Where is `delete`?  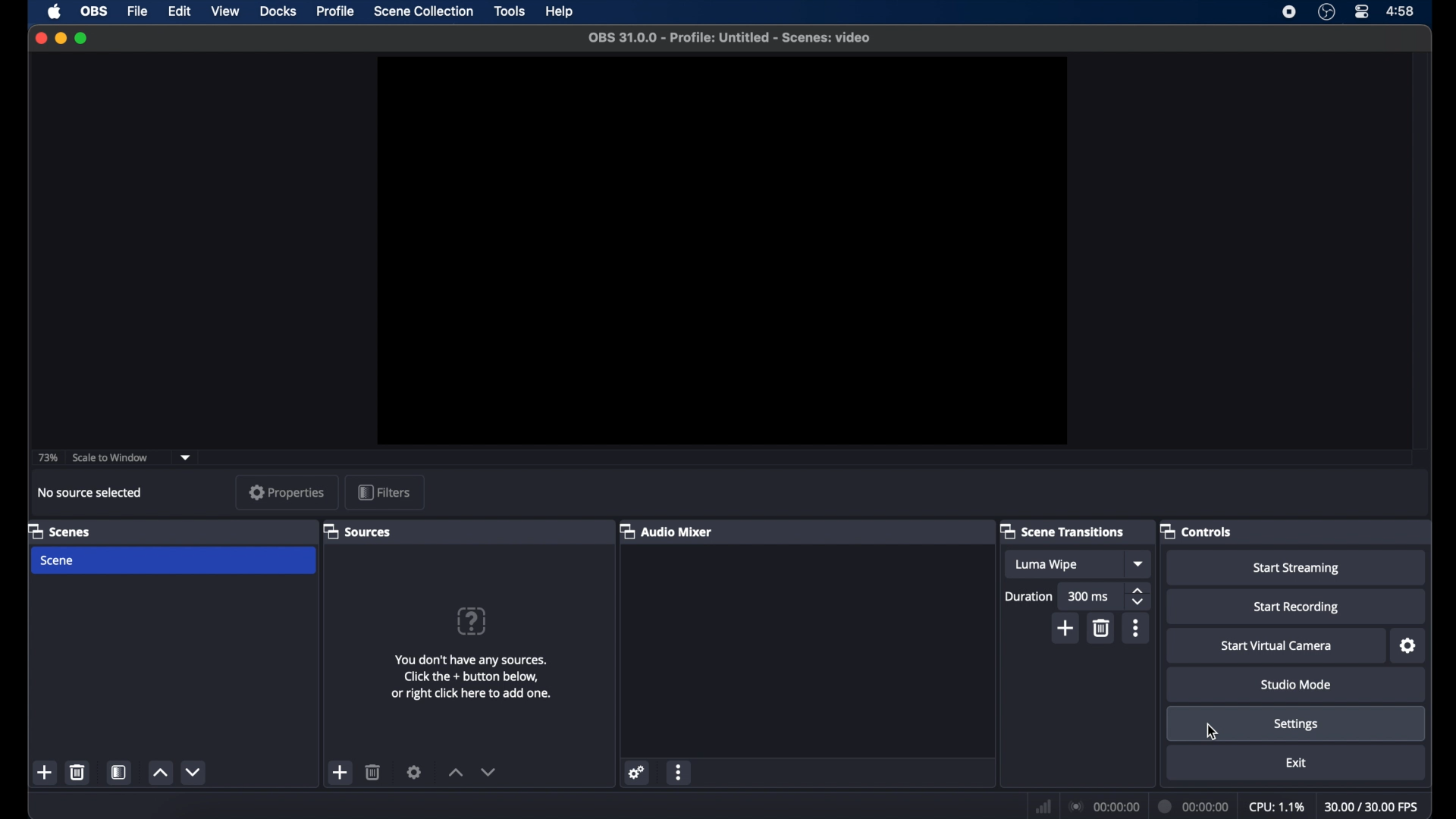 delete is located at coordinates (373, 772).